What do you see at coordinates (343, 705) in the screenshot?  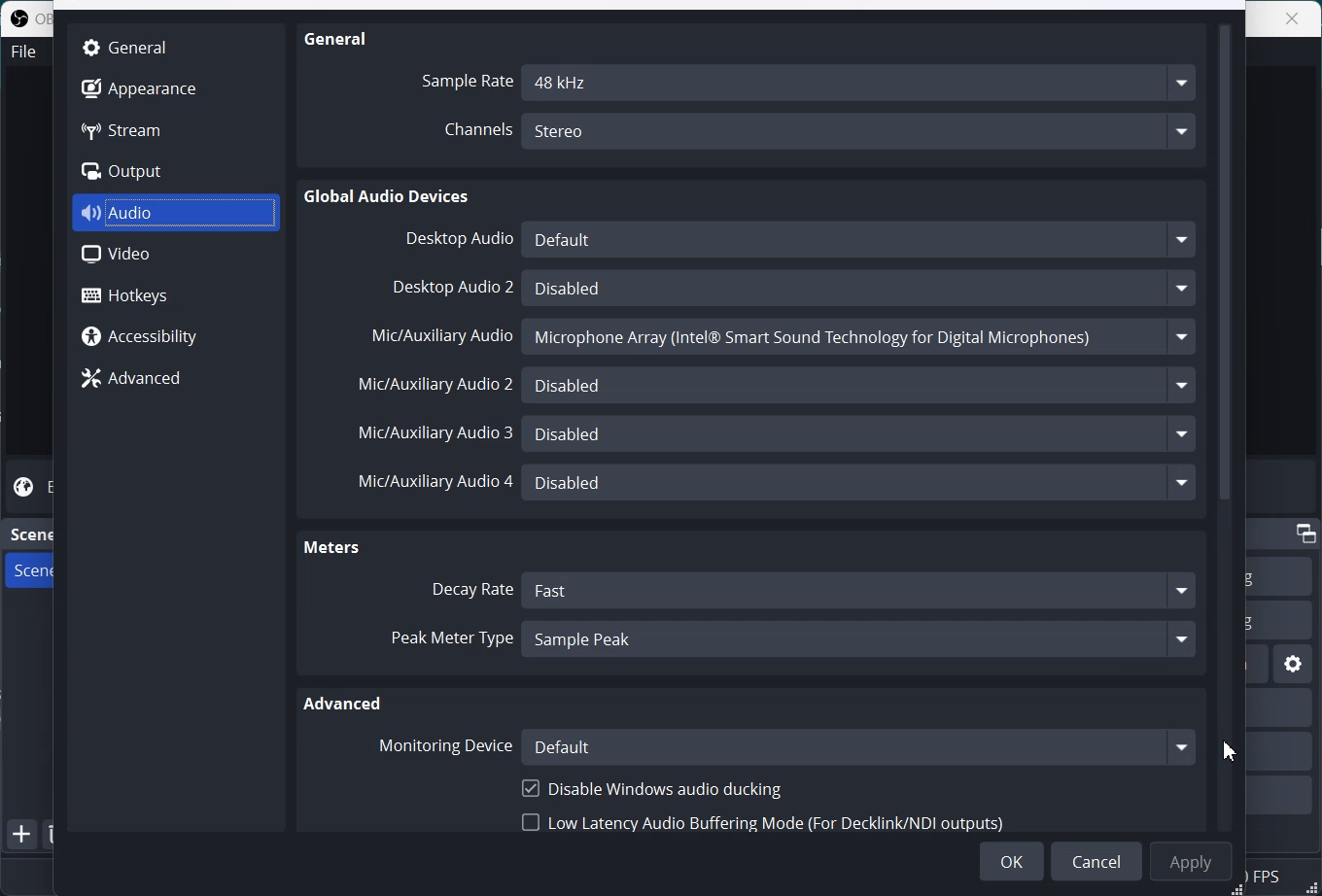 I see `Advanced` at bounding box center [343, 705].